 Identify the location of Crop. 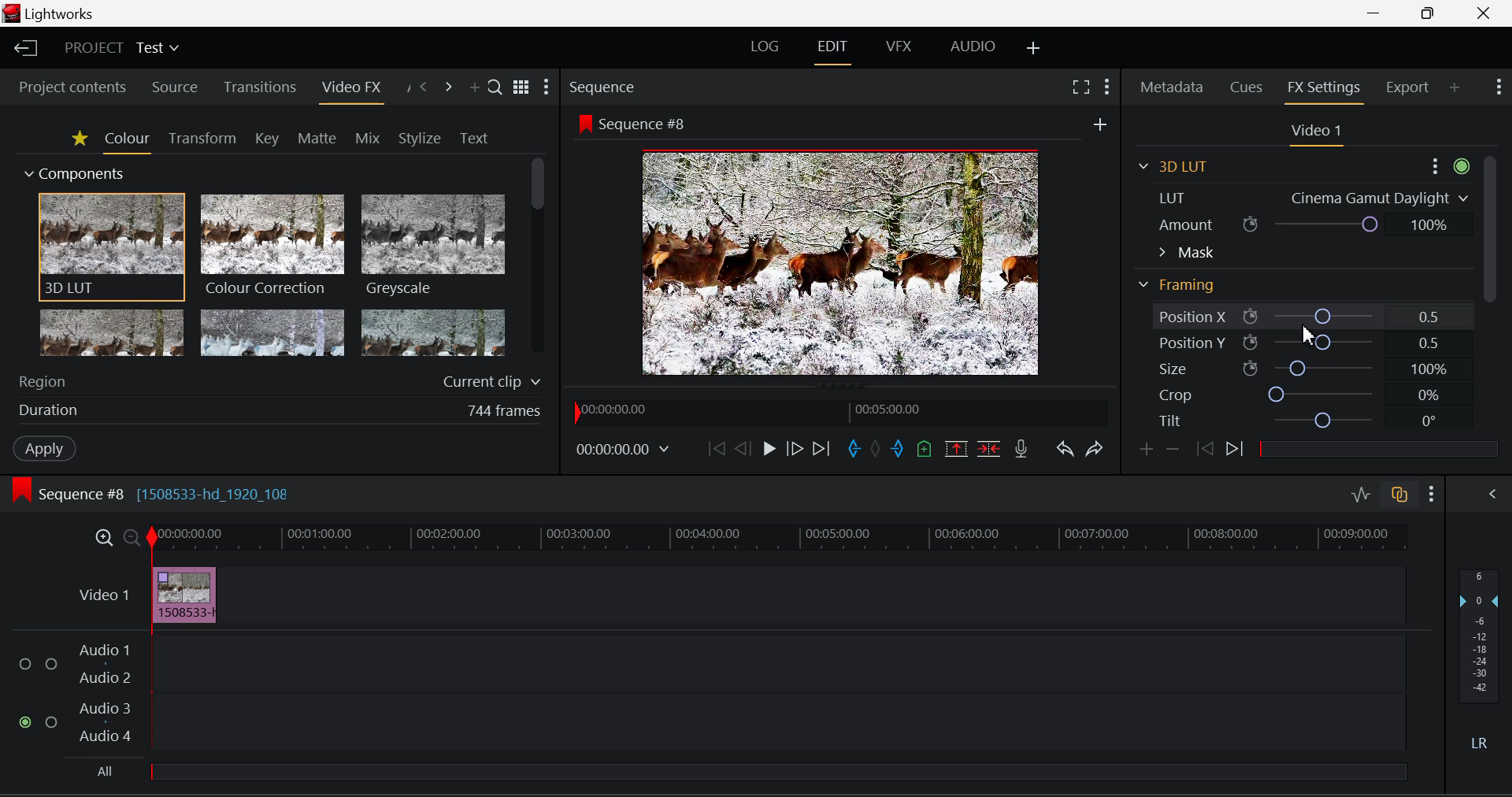
(1303, 396).